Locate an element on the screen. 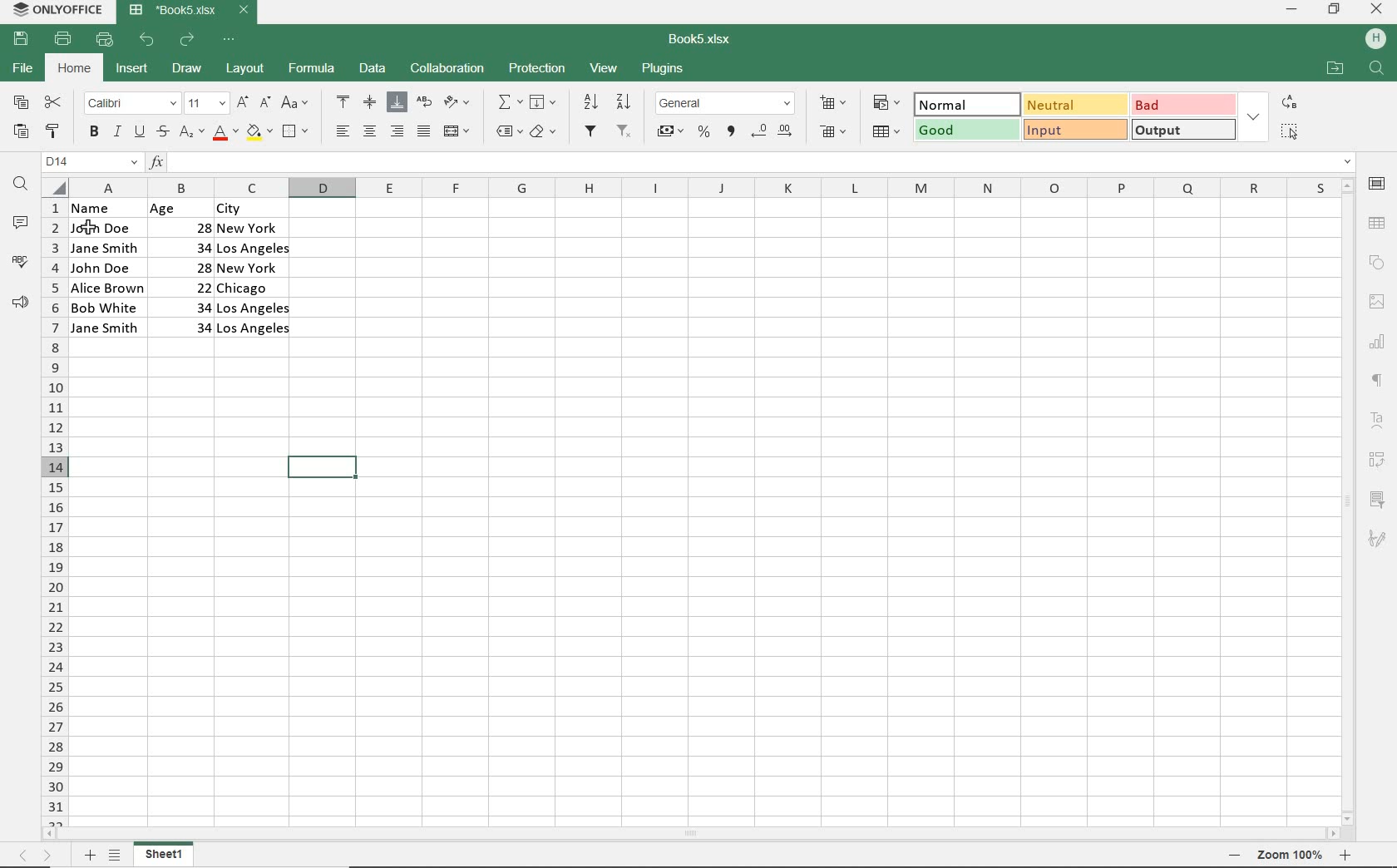 The height and width of the screenshot is (868, 1397). FORMULA is located at coordinates (313, 69).